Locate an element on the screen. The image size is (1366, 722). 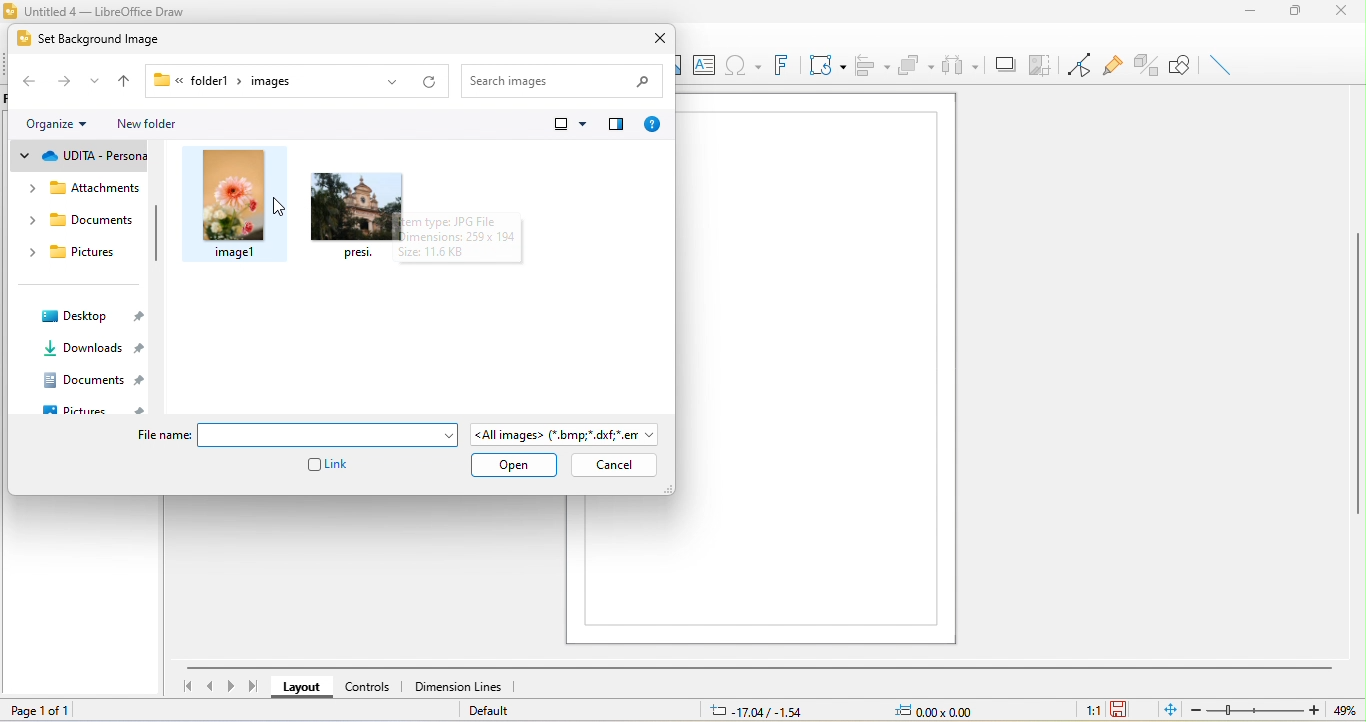
the document has not been modified since the last save is located at coordinates (1130, 709).